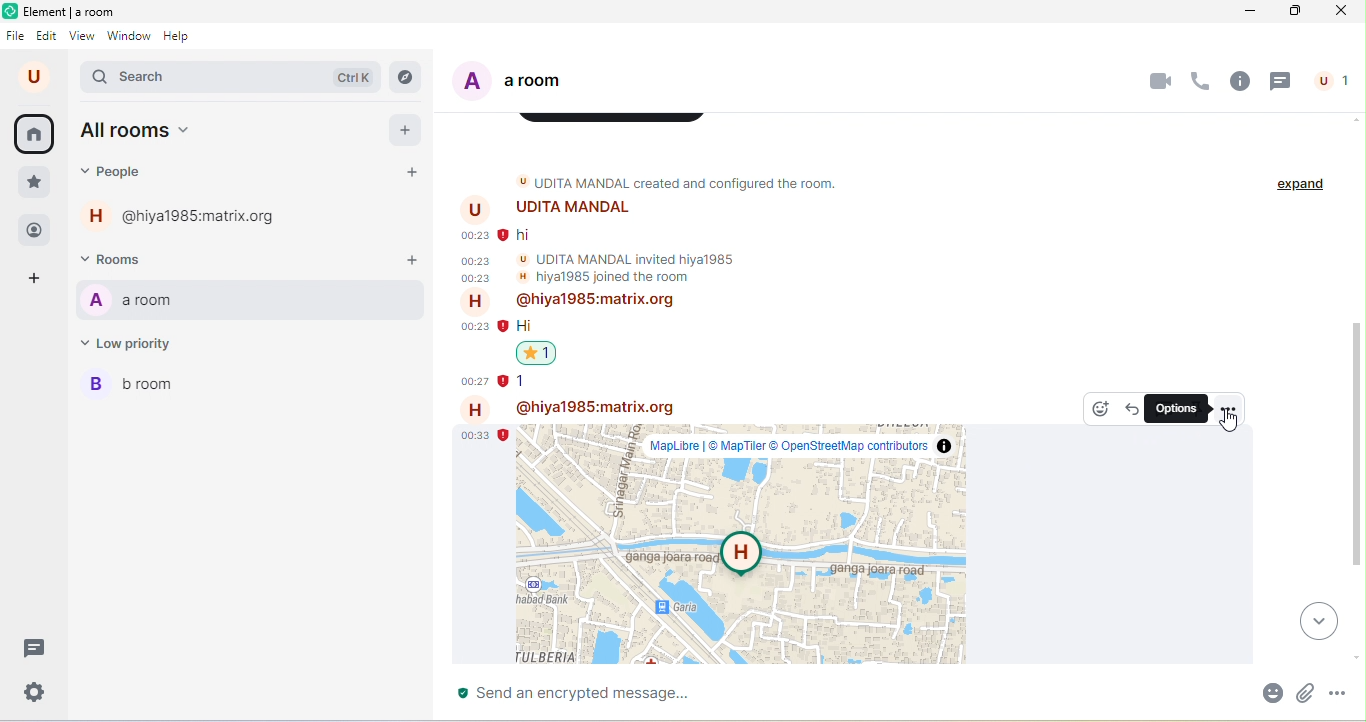 The height and width of the screenshot is (722, 1366). I want to click on reply, so click(1130, 407).